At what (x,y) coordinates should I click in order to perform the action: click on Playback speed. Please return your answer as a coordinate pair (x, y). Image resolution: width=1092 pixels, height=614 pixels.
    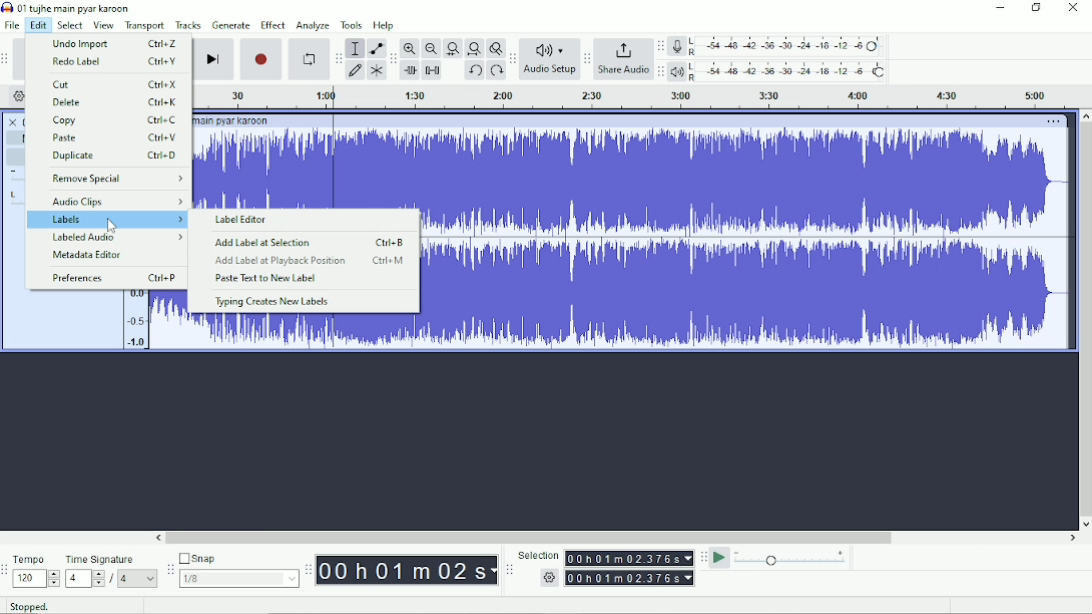
    Looking at the image, I should click on (792, 558).